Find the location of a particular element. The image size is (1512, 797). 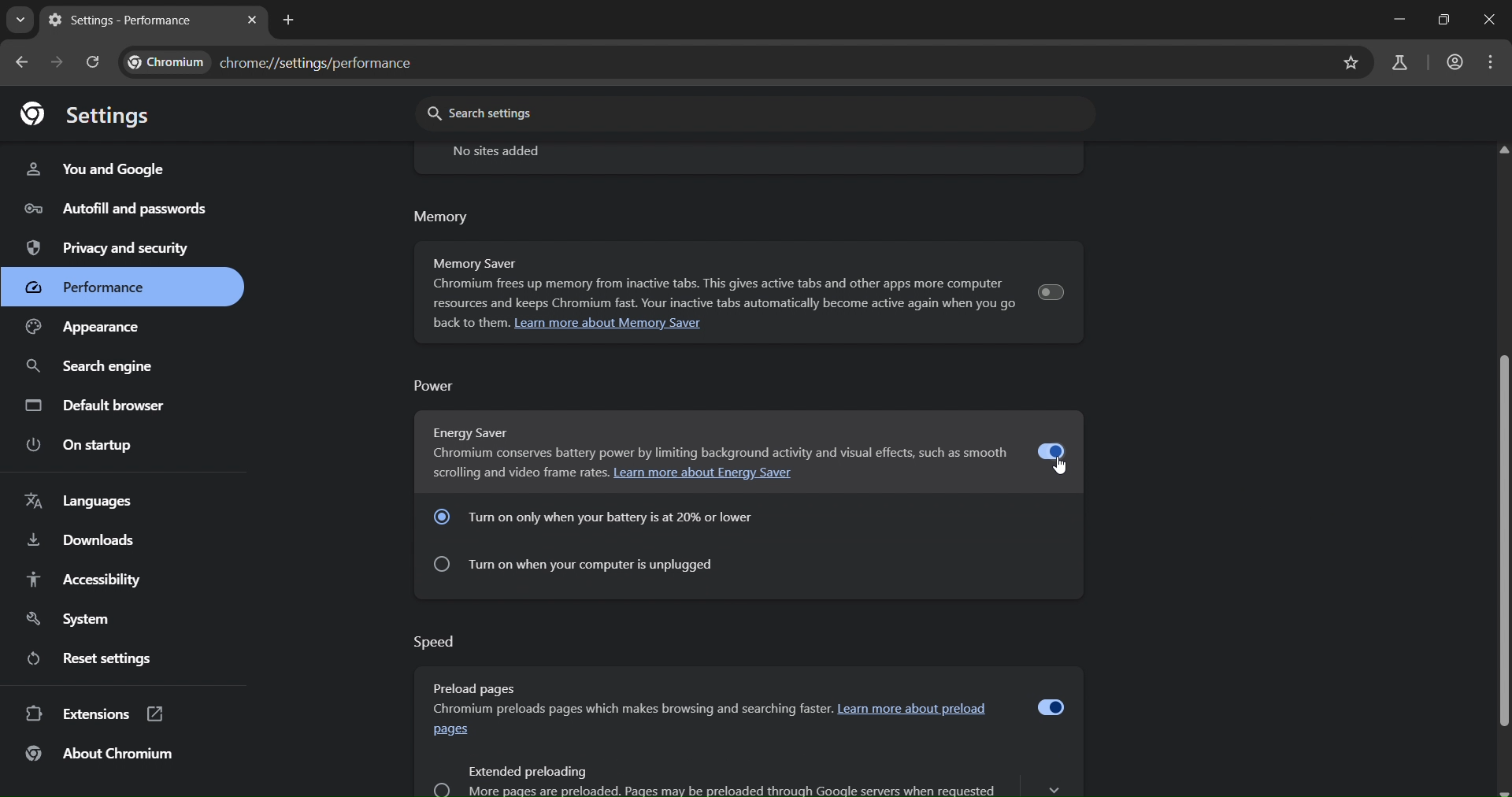

settings is located at coordinates (88, 115).